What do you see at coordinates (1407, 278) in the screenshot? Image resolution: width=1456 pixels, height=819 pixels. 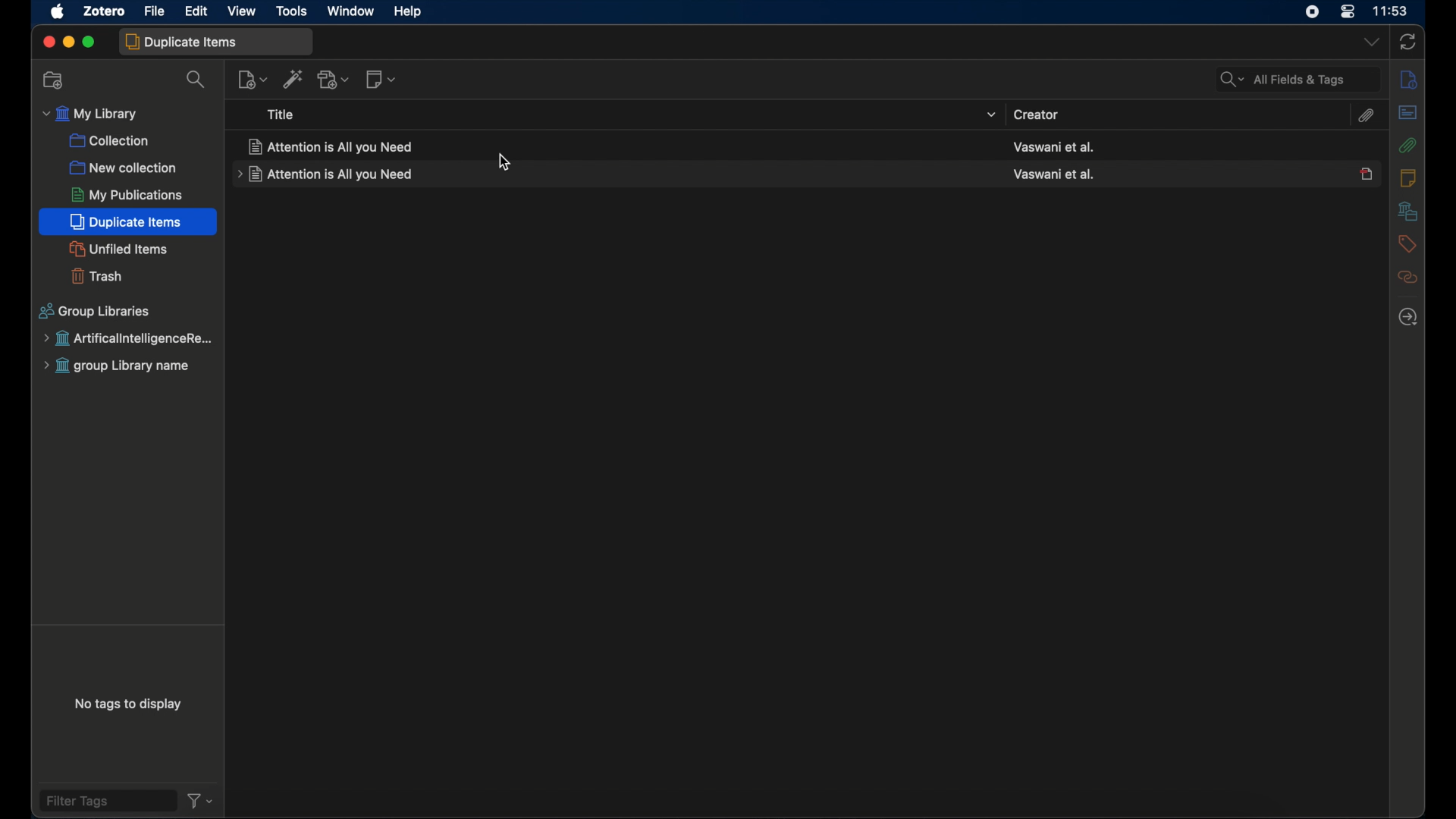 I see `related` at bounding box center [1407, 278].